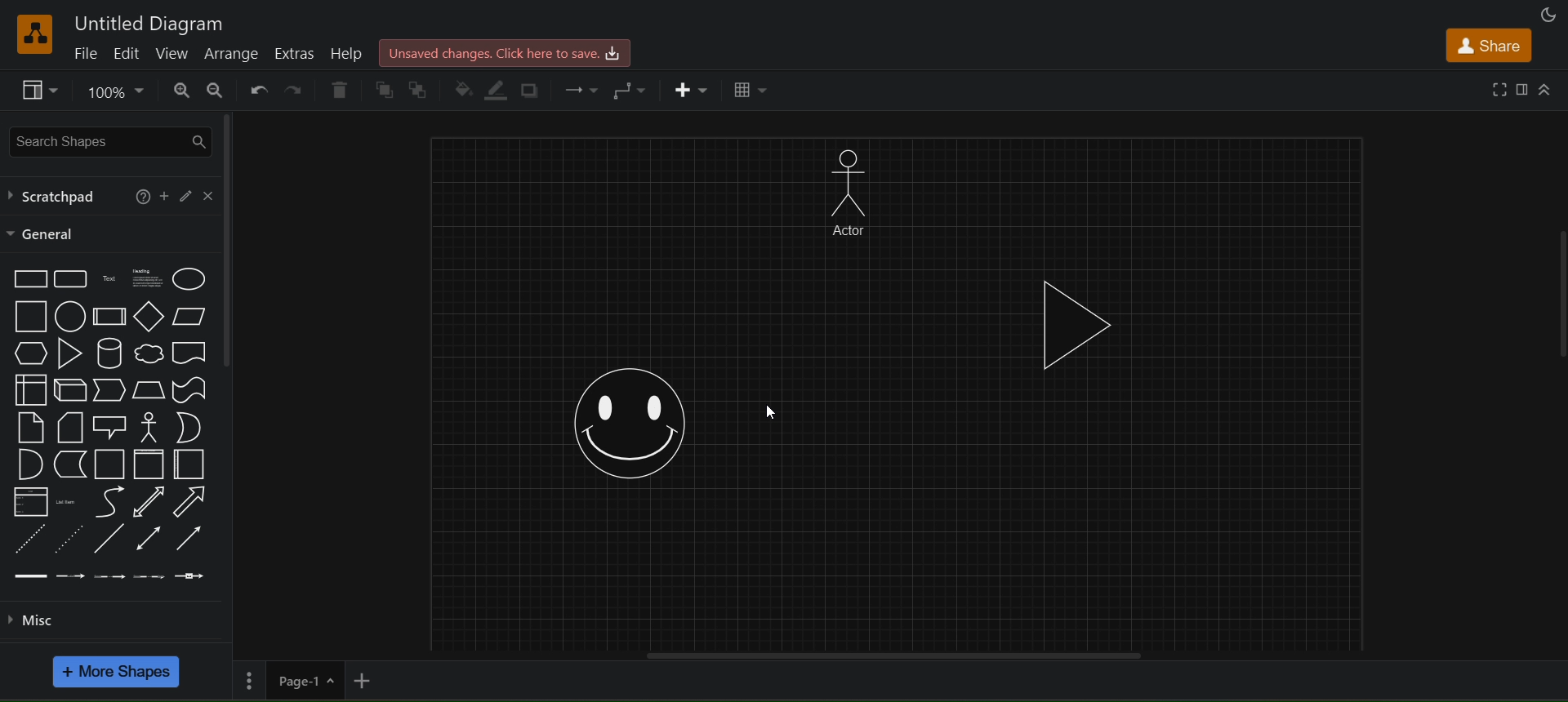  Describe the element at coordinates (581, 88) in the screenshot. I see `connection` at that location.